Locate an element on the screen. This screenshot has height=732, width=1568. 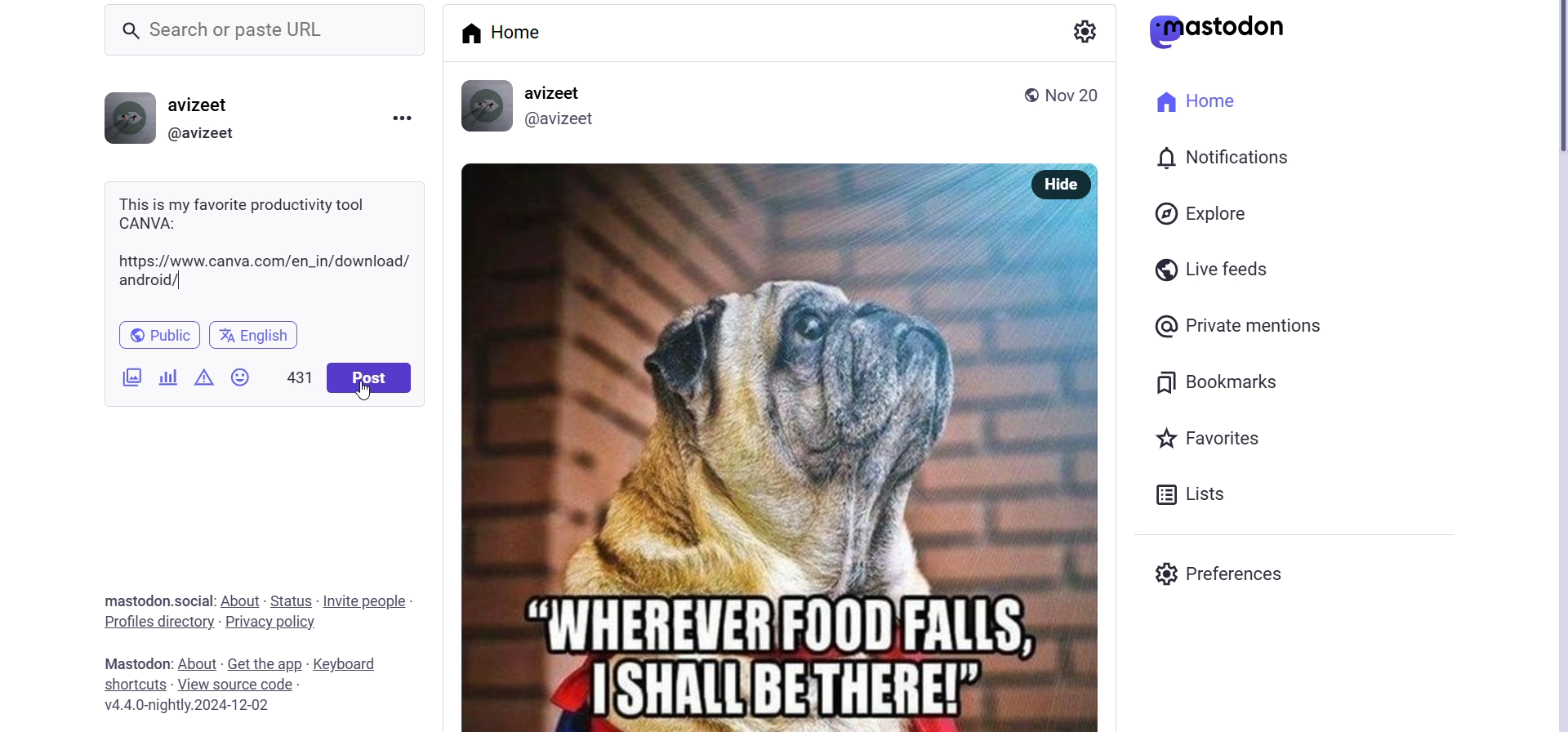
emojis is located at coordinates (247, 373).